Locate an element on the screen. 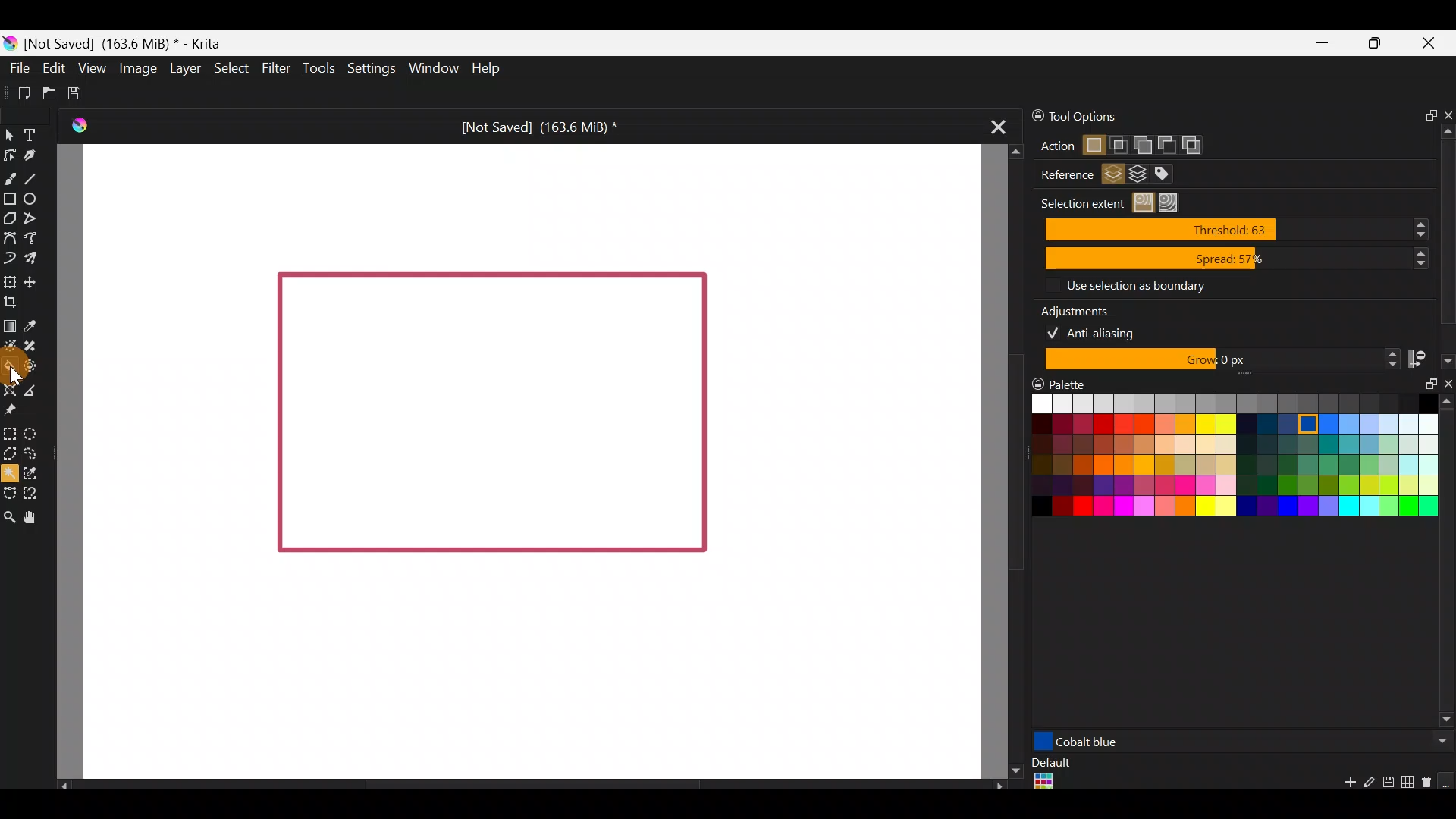 The height and width of the screenshot is (819, 1456). File is located at coordinates (20, 67).